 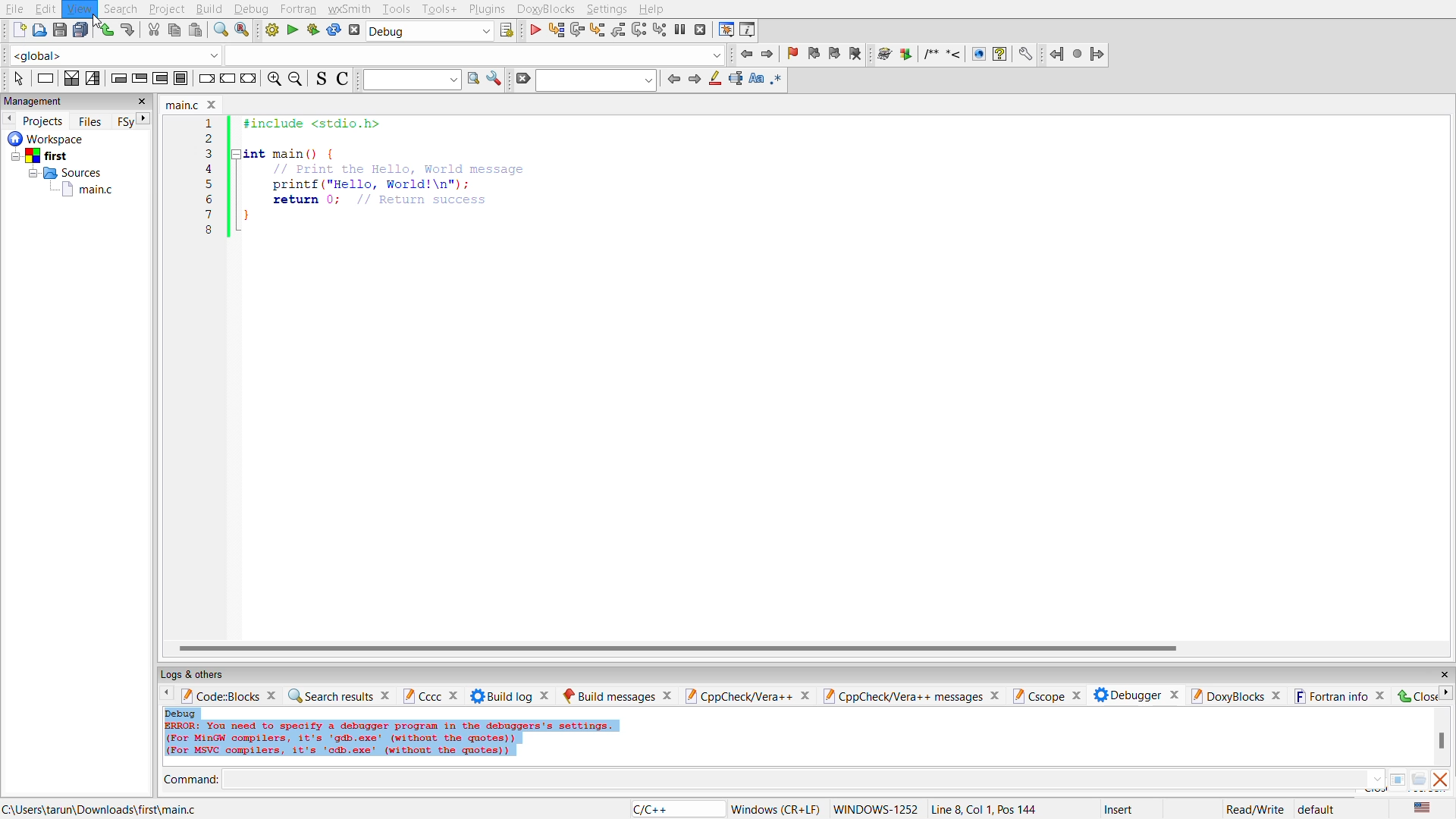 What do you see at coordinates (45, 121) in the screenshot?
I see `projects` at bounding box center [45, 121].